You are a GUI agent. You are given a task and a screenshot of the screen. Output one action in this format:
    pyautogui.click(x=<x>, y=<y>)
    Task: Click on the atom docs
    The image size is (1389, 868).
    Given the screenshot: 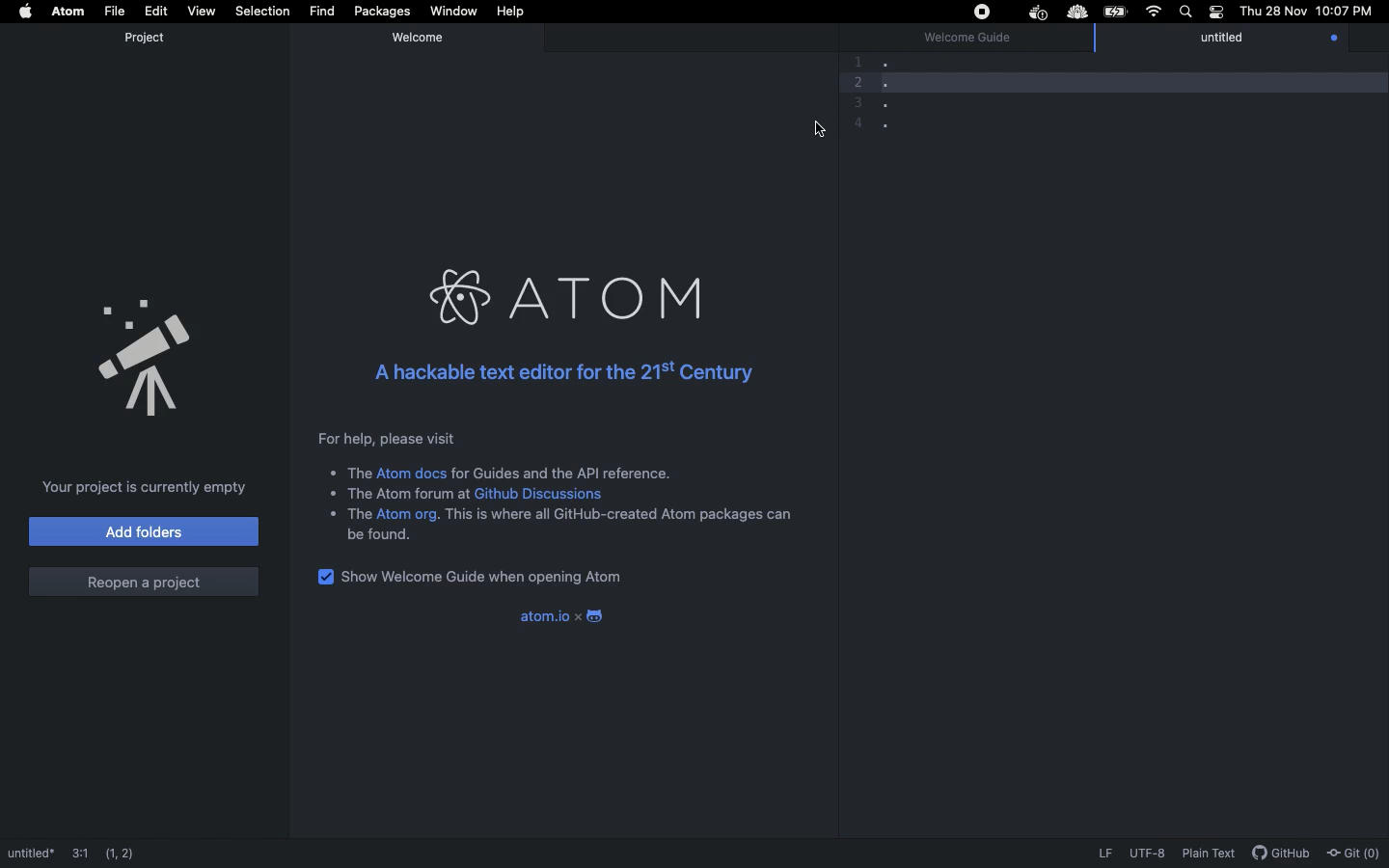 What is the action you would take?
    pyautogui.click(x=413, y=473)
    